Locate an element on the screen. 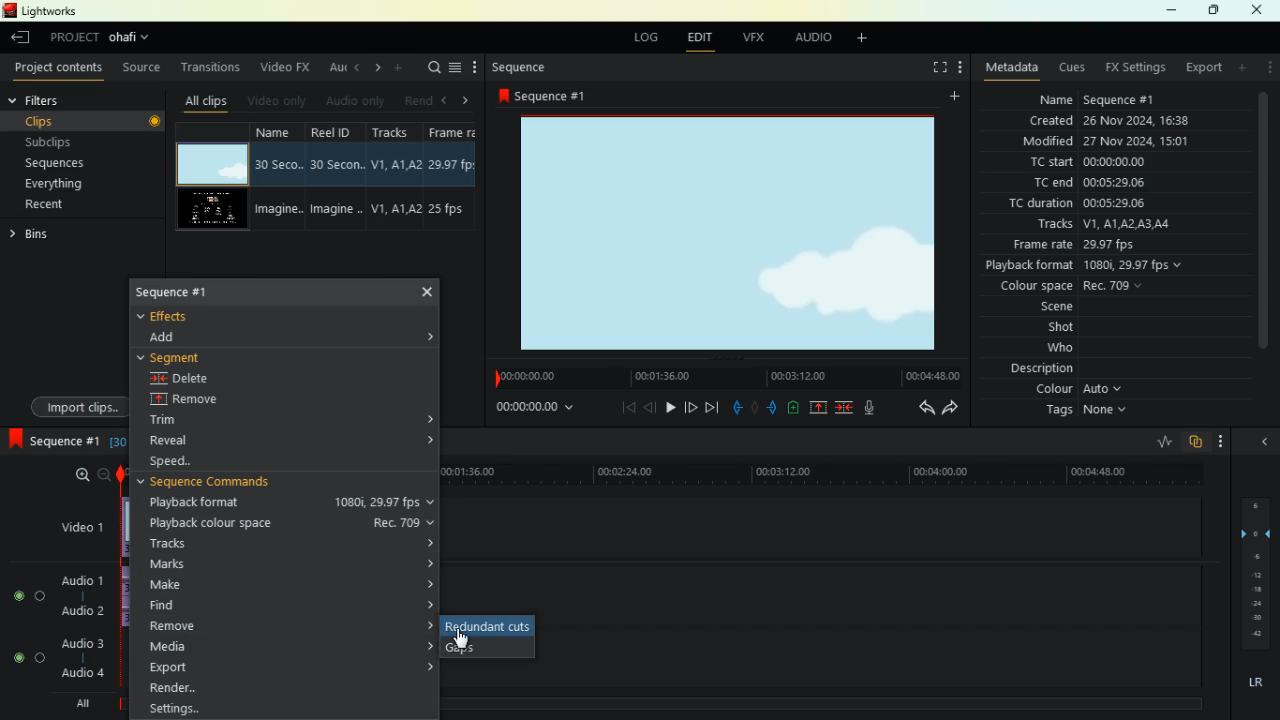  toggle is located at coordinates (40, 658).